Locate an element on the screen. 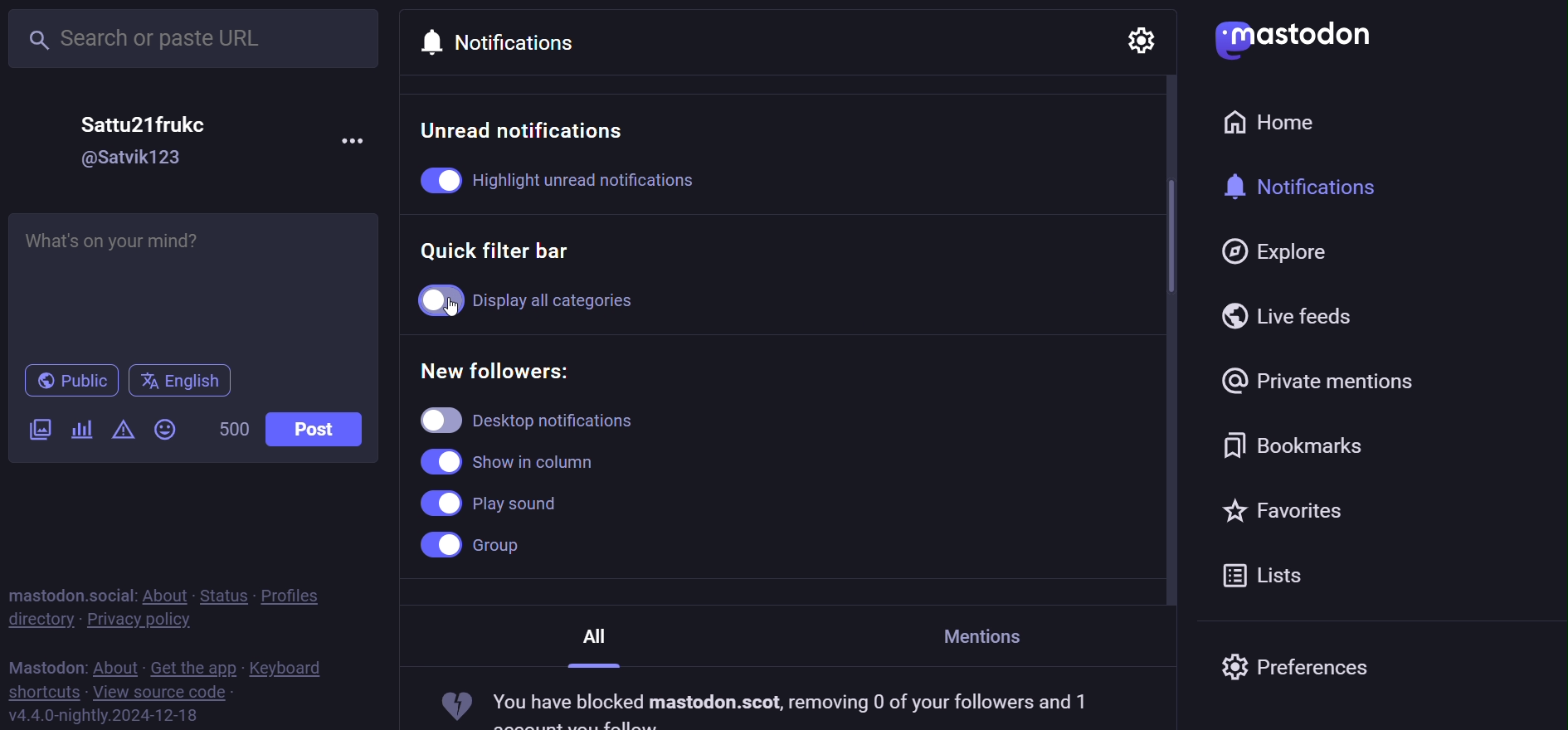  mastodon is located at coordinates (1292, 38).